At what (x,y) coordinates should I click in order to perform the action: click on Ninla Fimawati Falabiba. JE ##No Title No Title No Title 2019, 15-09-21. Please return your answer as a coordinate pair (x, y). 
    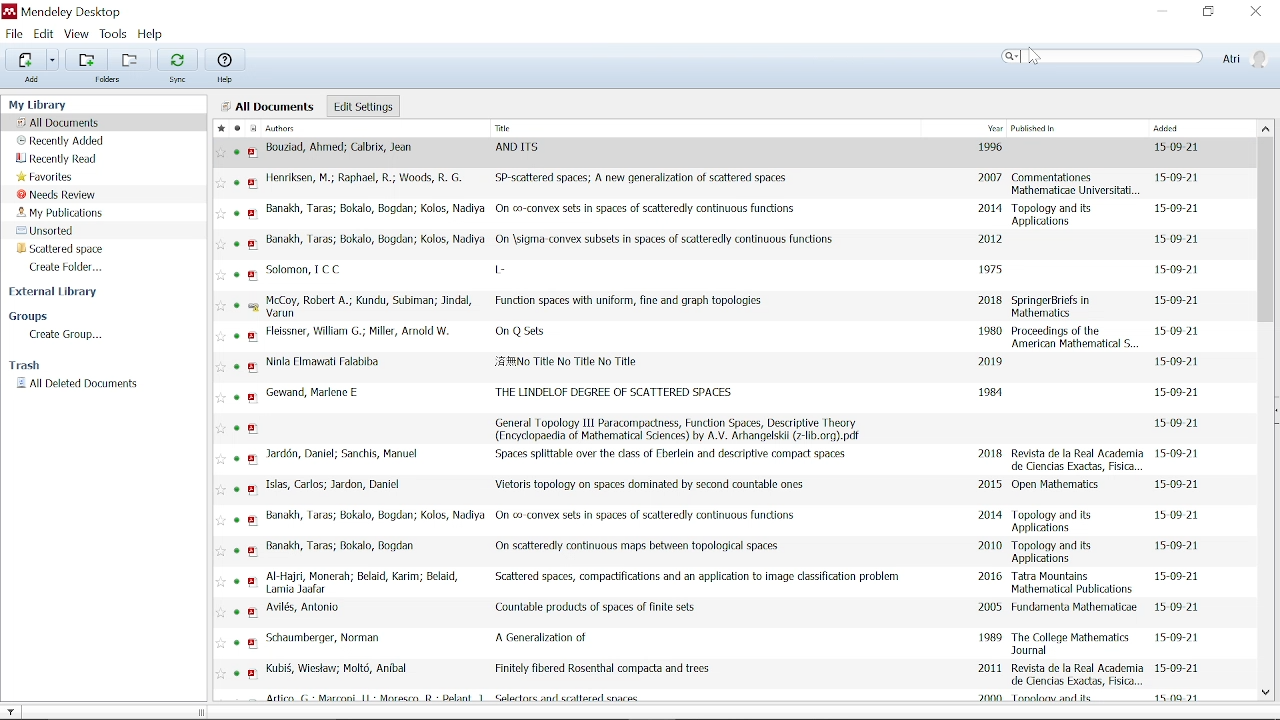
    Looking at the image, I should click on (728, 366).